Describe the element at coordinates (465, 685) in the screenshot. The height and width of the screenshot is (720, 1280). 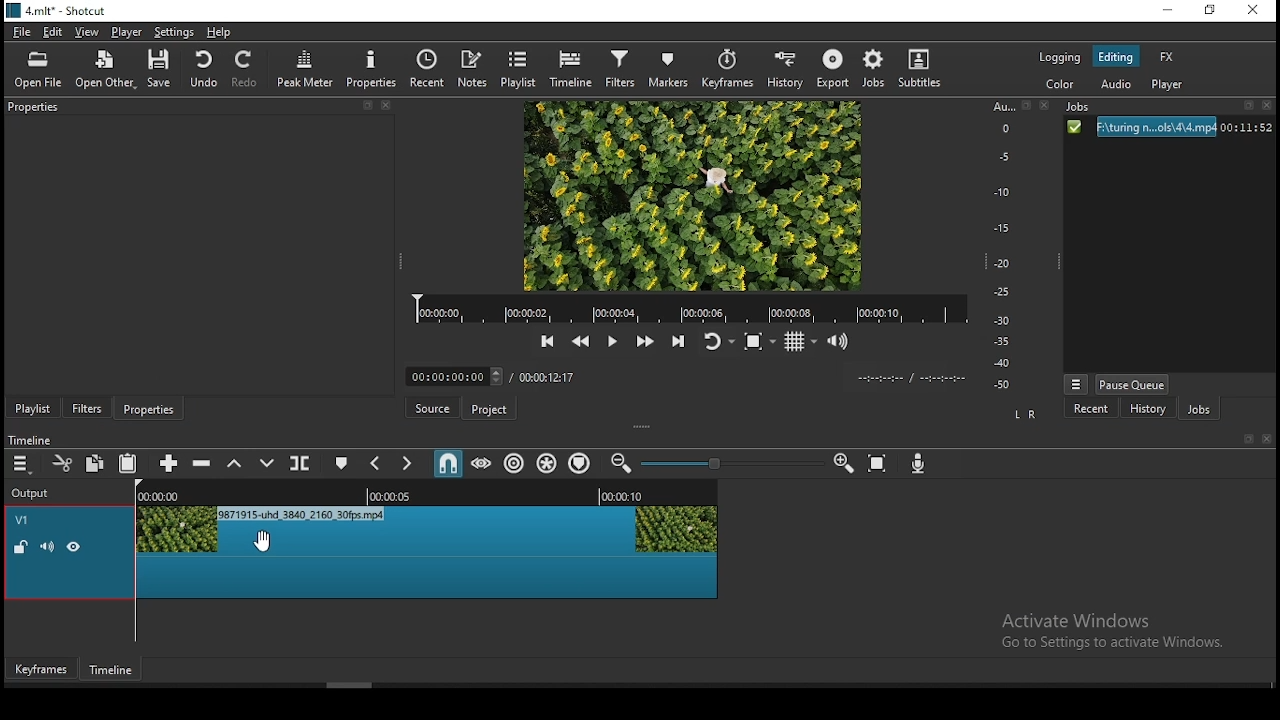
I see `scroll bar` at that location.